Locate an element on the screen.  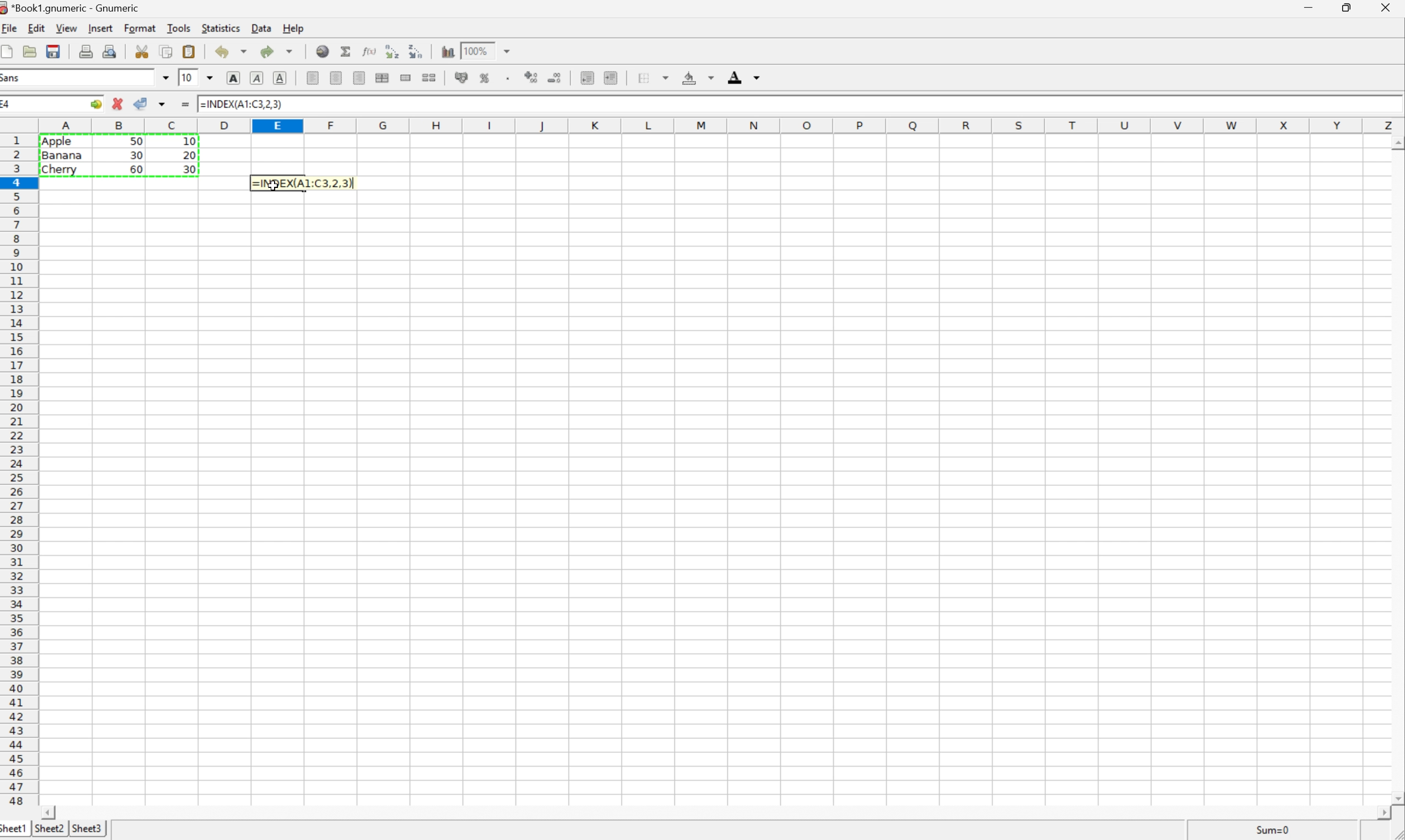
column names is located at coordinates (716, 126).